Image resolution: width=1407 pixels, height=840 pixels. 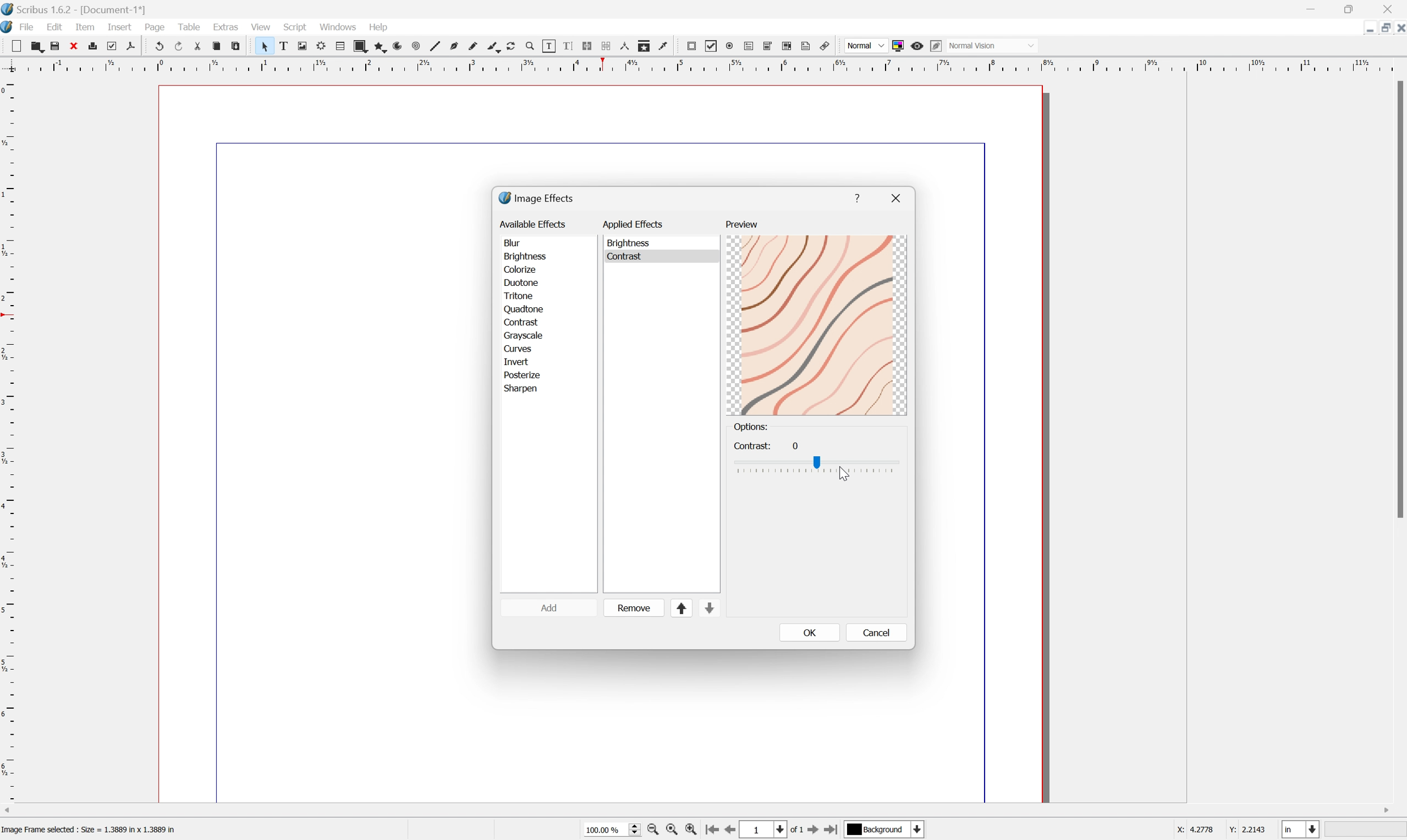 I want to click on Zoom In, so click(x=693, y=832).